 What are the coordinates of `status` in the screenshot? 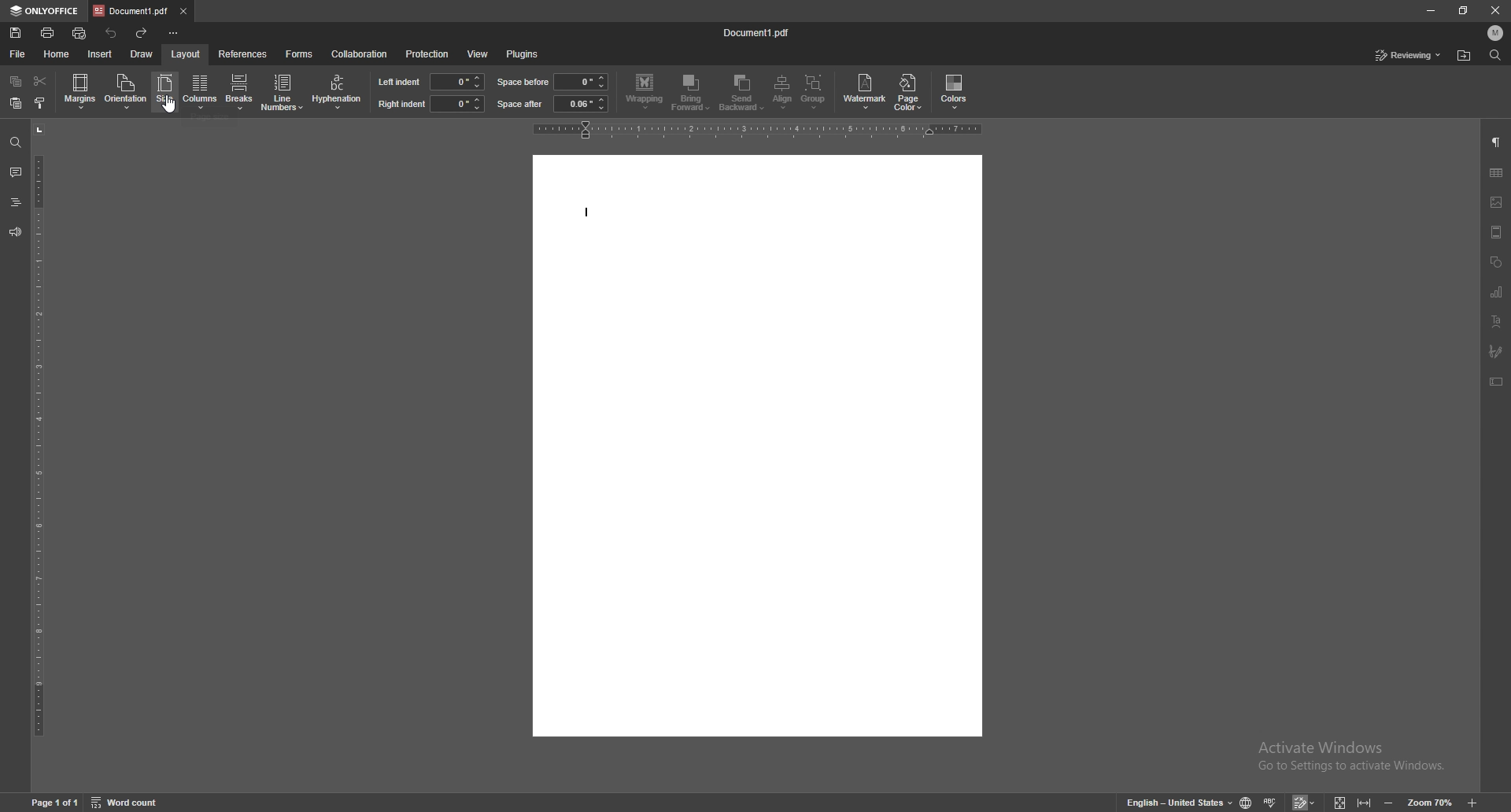 It's located at (1409, 55).